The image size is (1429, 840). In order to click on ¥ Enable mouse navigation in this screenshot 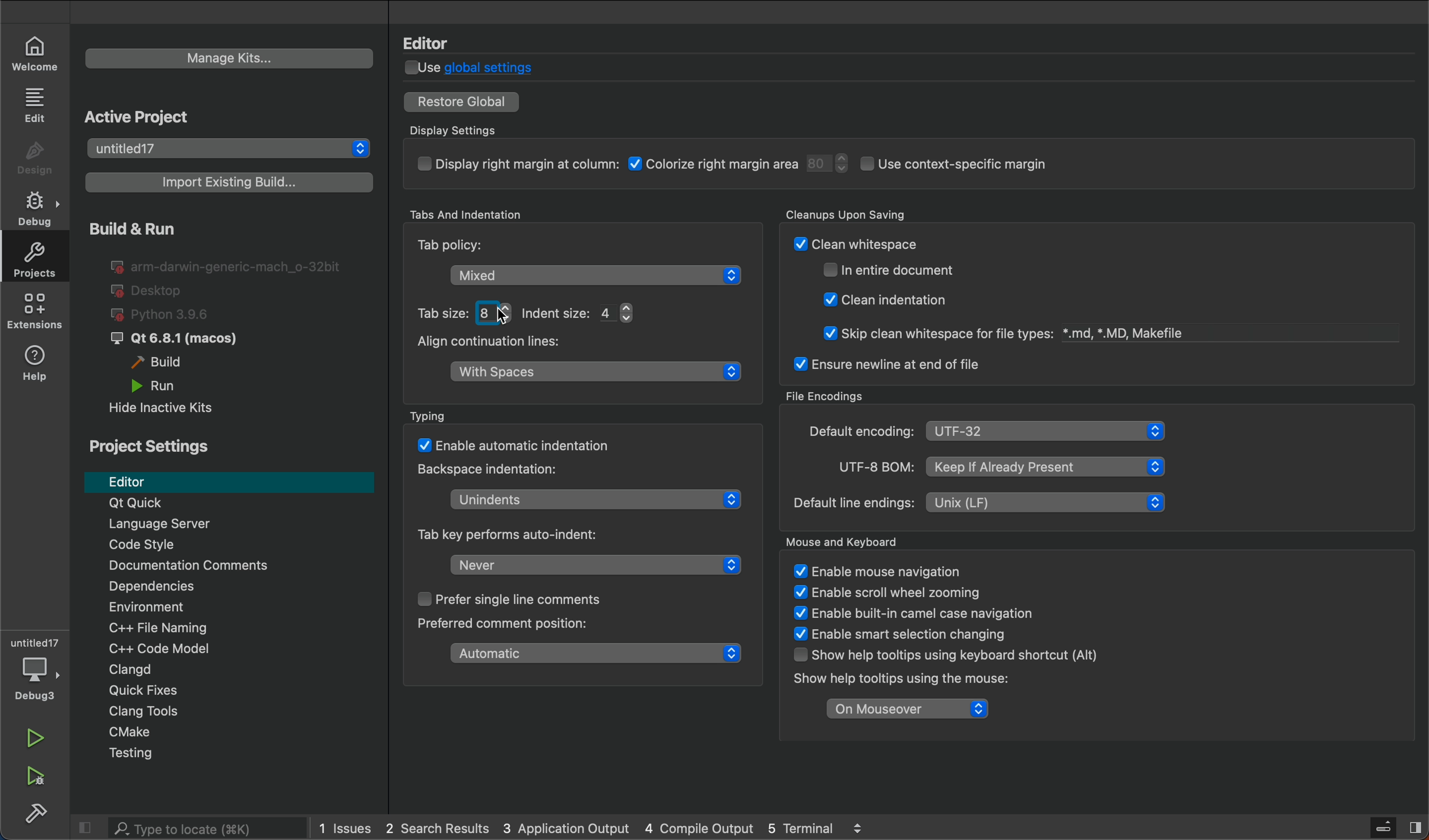, I will do `click(877, 571)`.